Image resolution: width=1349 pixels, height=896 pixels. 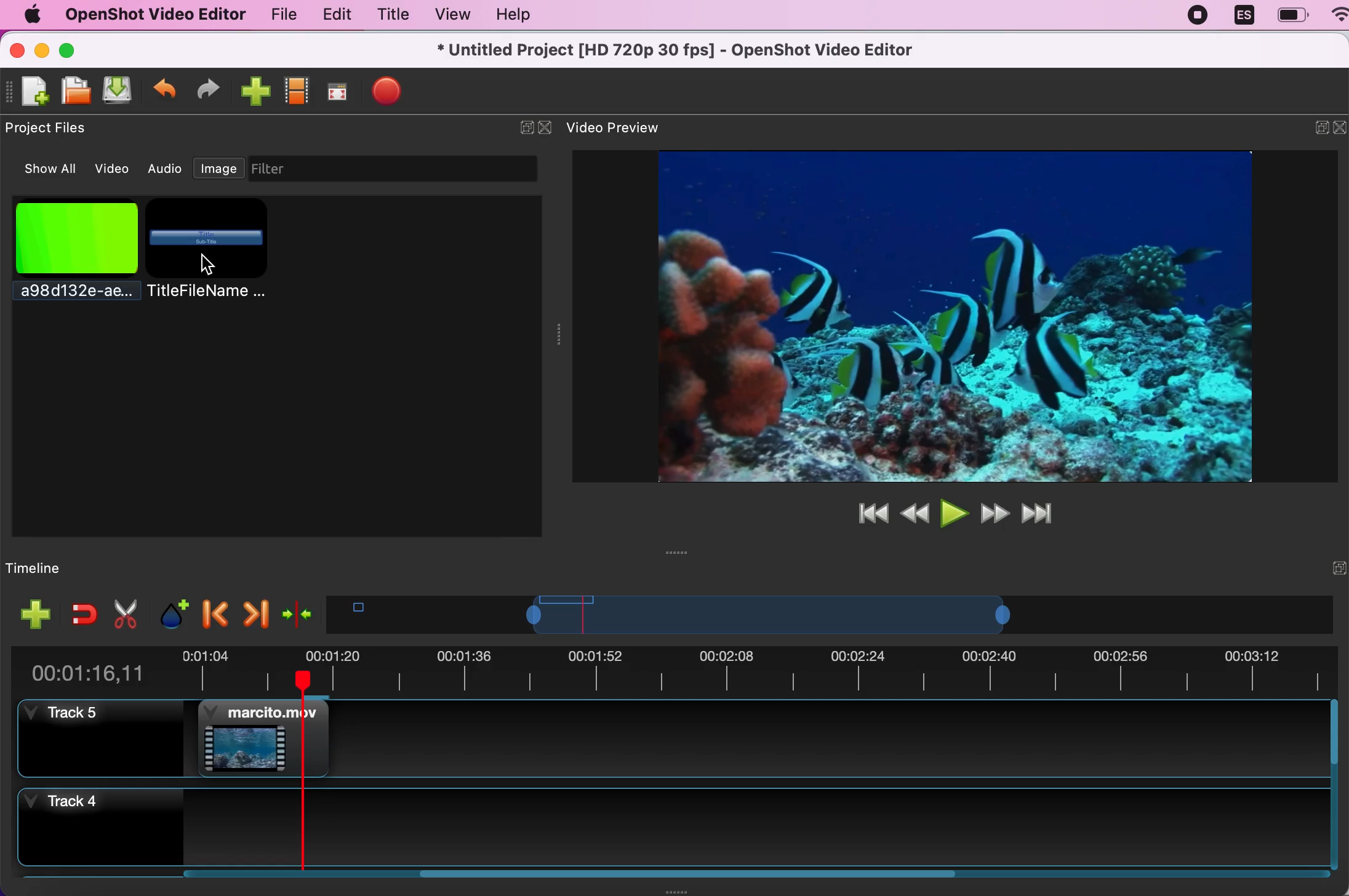 I want to click on redo, so click(x=214, y=89).